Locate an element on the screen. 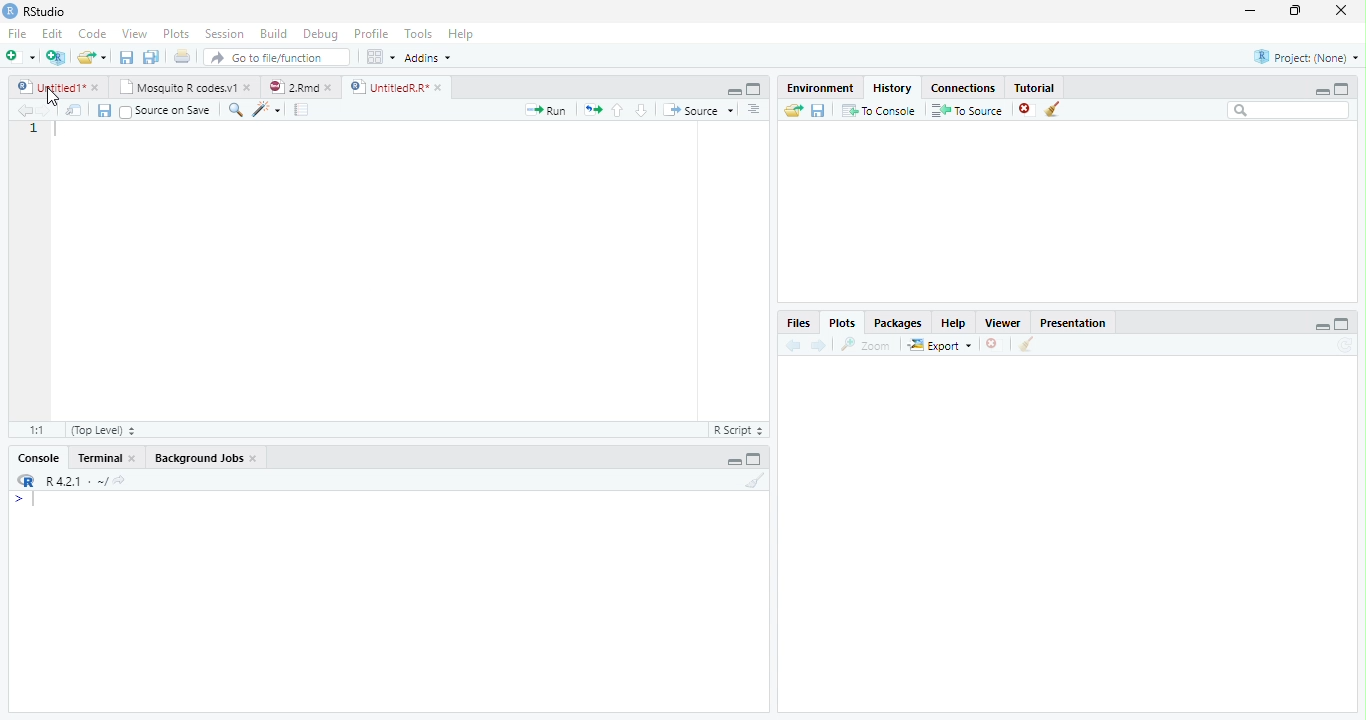 The width and height of the screenshot is (1366, 720). File is located at coordinates (17, 35).